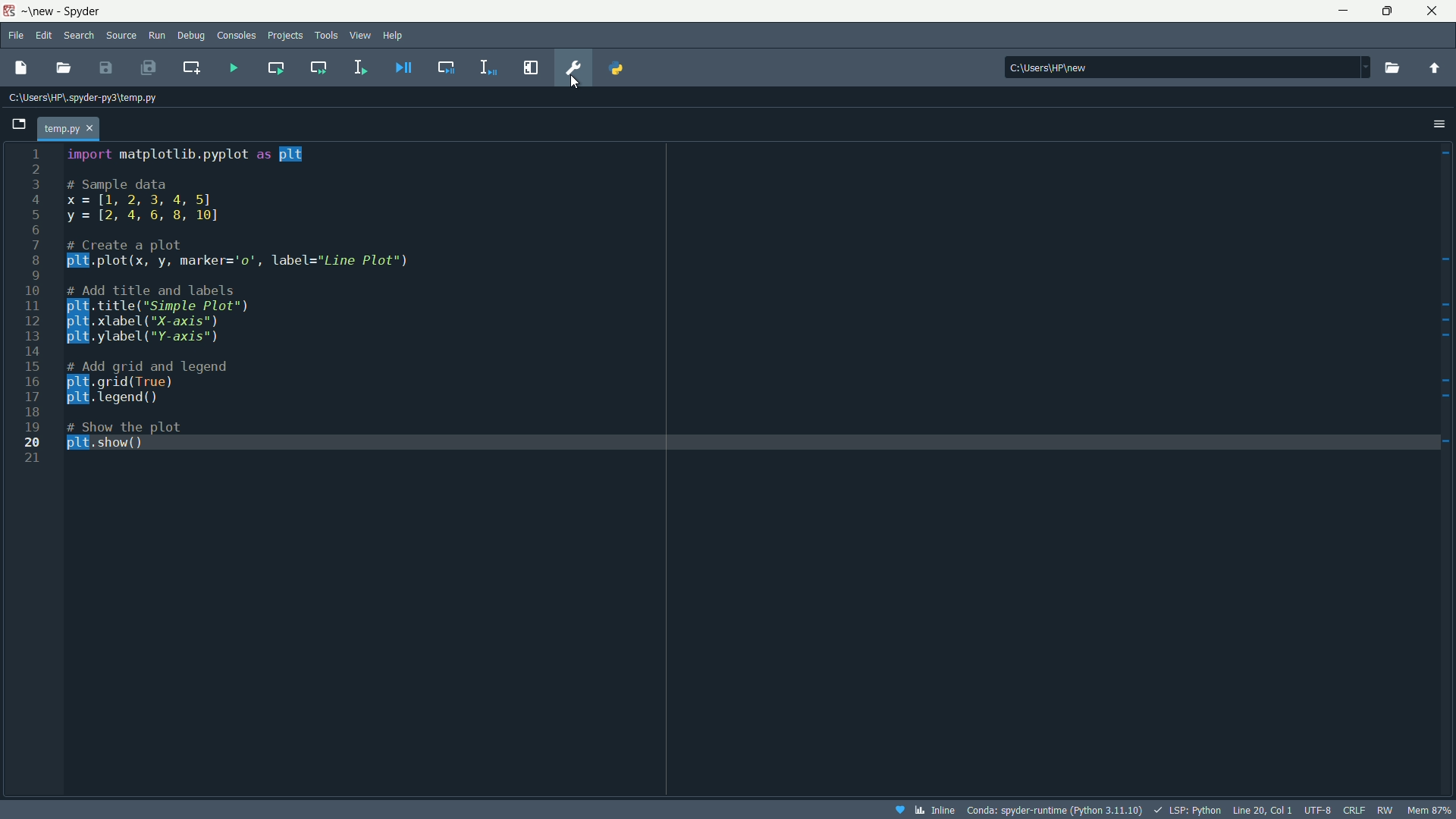 Image resolution: width=1456 pixels, height=819 pixels. I want to click on projects, so click(285, 36).